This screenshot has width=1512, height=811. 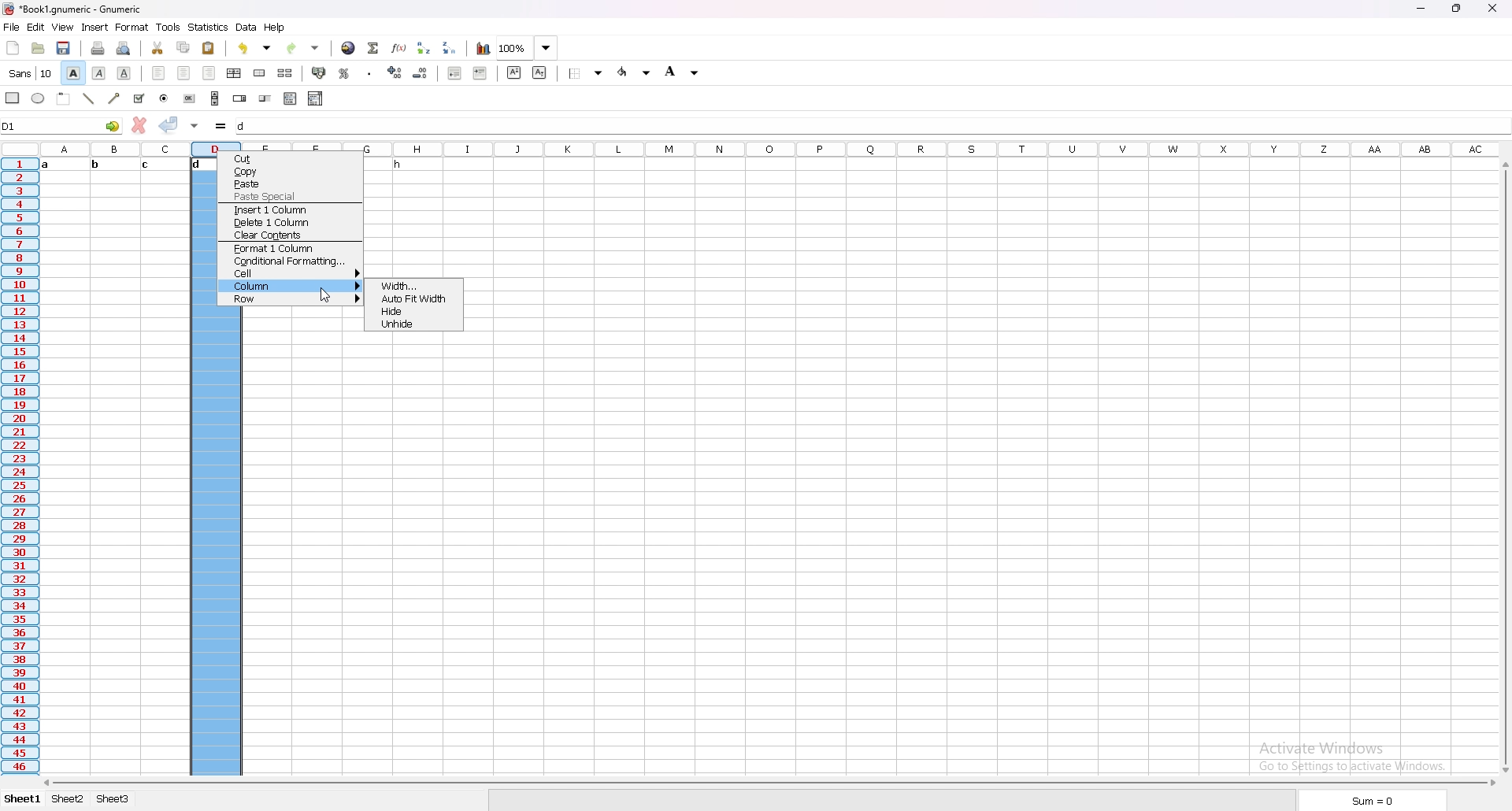 What do you see at coordinates (413, 312) in the screenshot?
I see `hide` at bounding box center [413, 312].